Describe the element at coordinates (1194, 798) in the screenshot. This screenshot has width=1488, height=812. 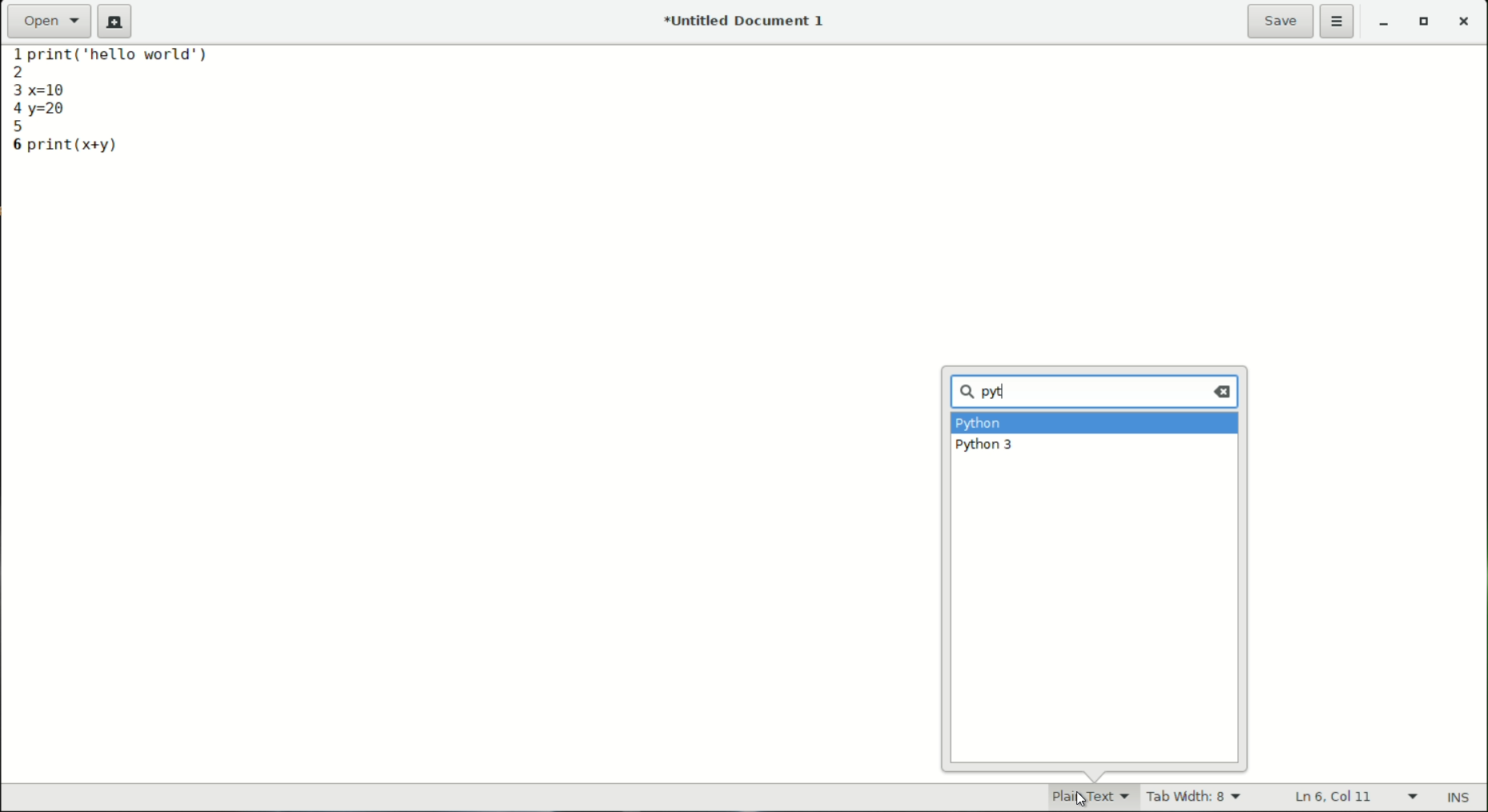
I see `tab width` at that location.